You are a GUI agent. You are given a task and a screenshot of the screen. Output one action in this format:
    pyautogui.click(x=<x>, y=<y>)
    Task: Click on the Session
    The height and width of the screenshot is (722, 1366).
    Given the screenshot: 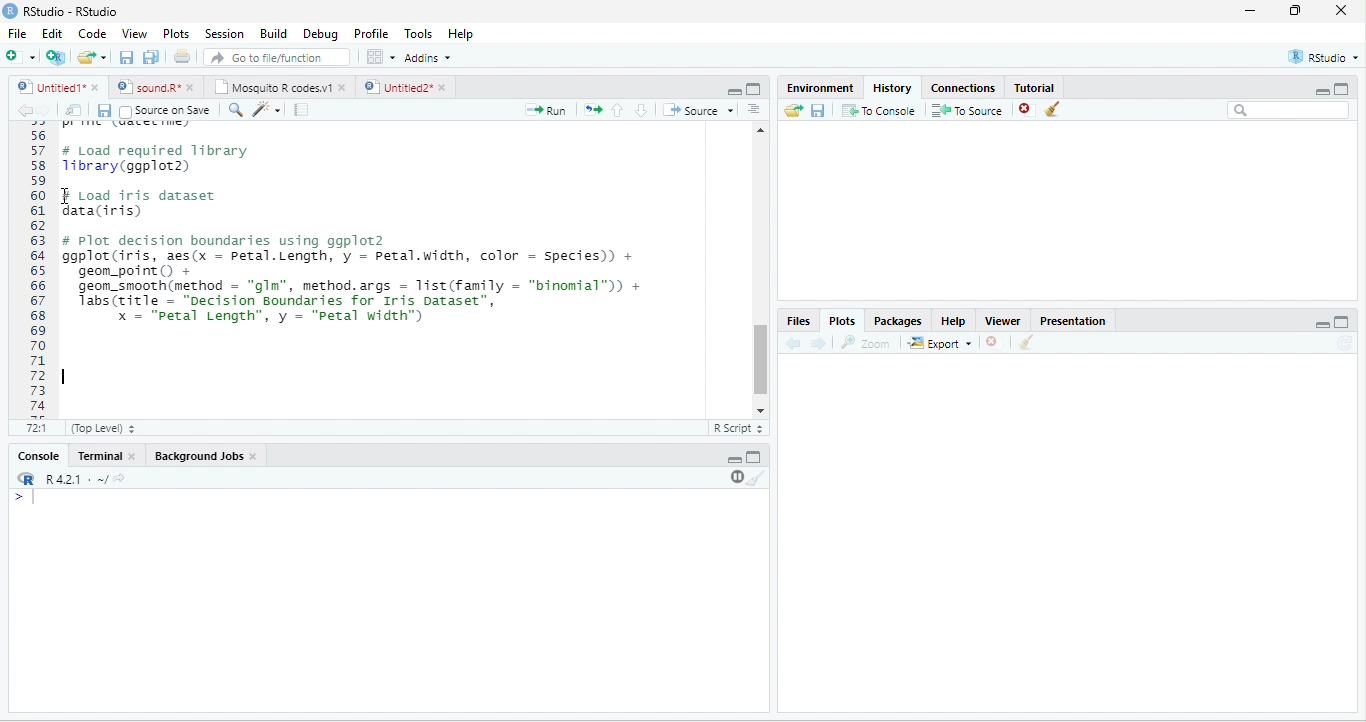 What is the action you would take?
    pyautogui.click(x=226, y=35)
    